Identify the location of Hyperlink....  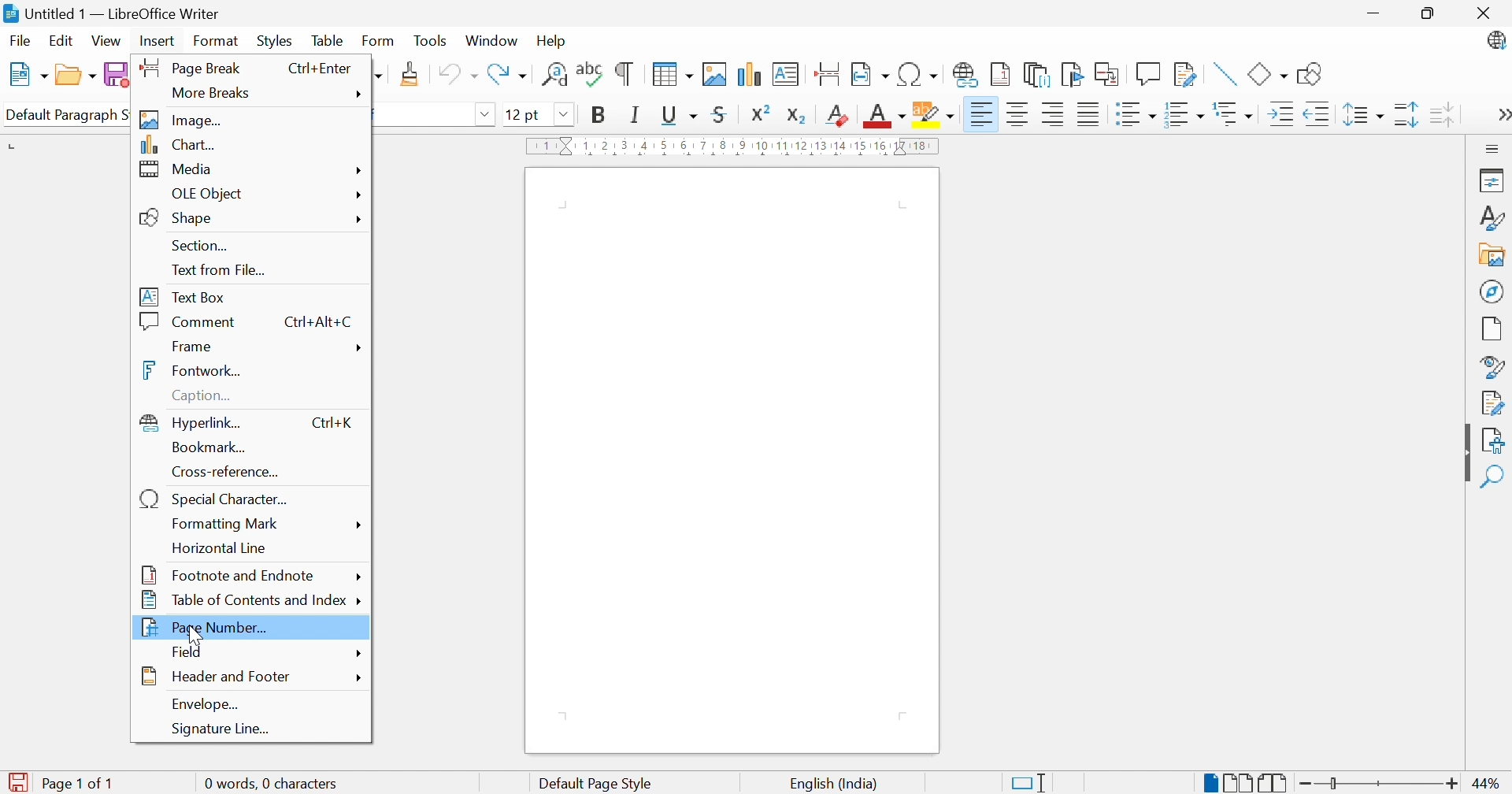
(194, 422).